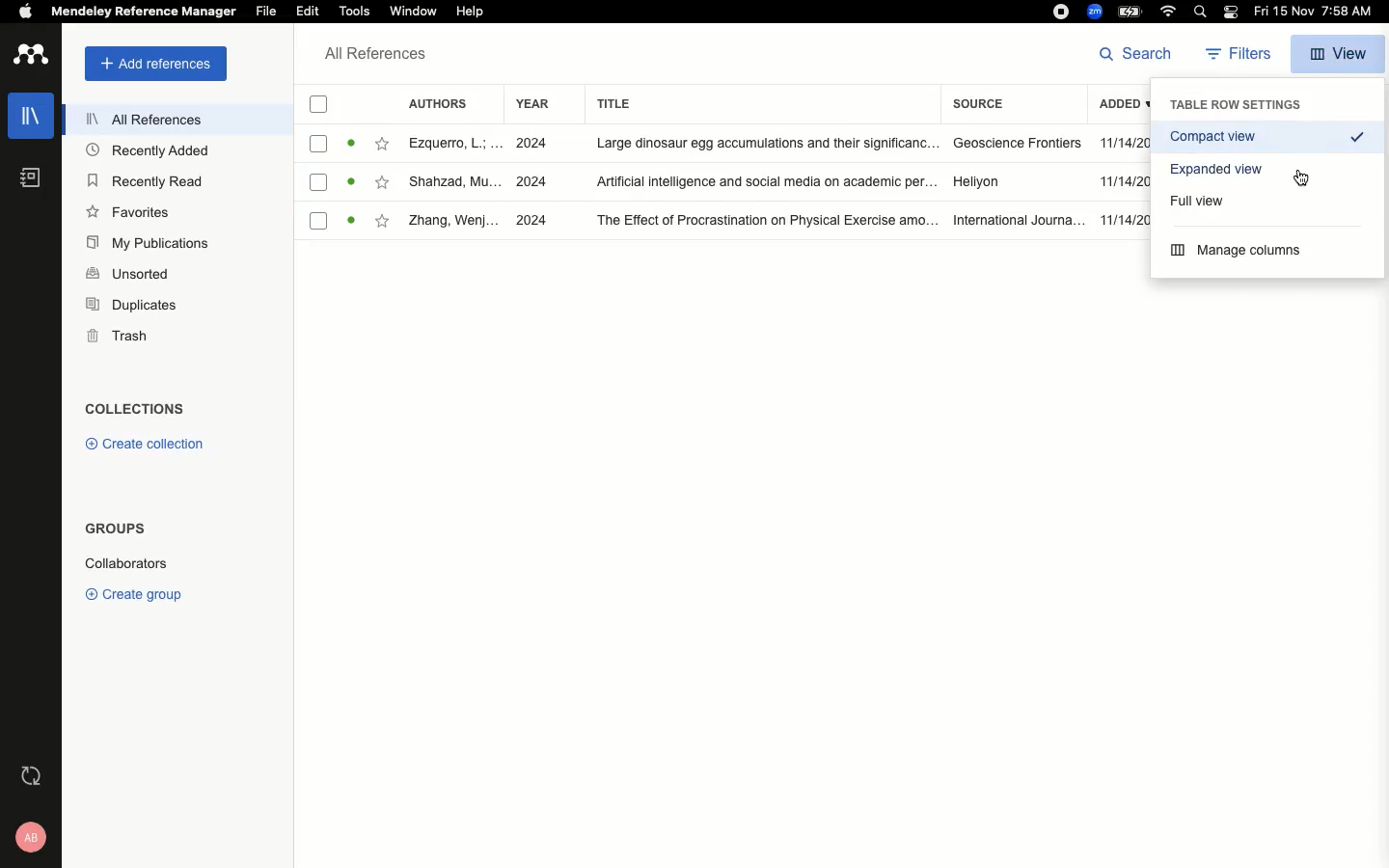 The image size is (1389, 868). I want to click on Active, so click(352, 222).